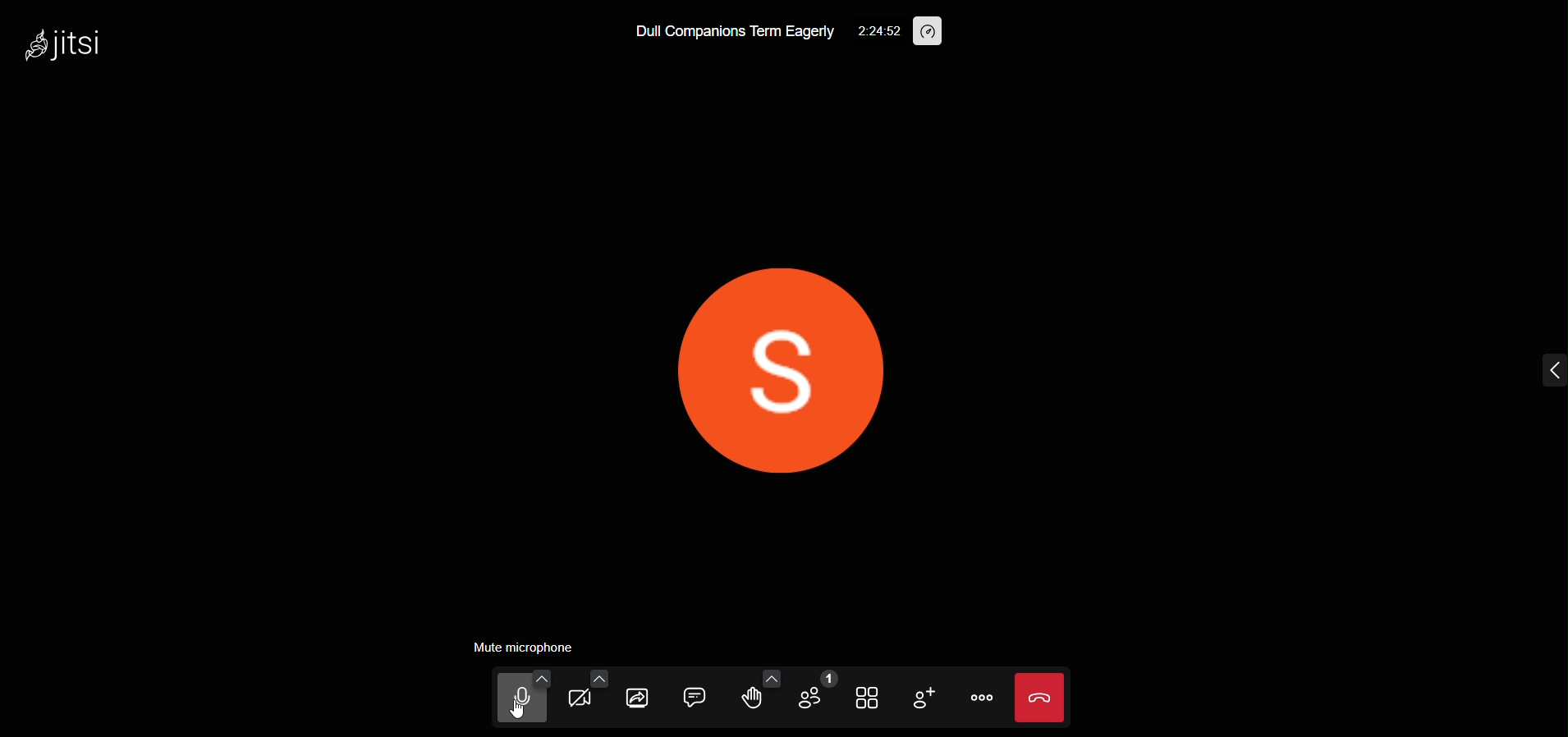  I want to click on mute microphone, so click(530, 649).